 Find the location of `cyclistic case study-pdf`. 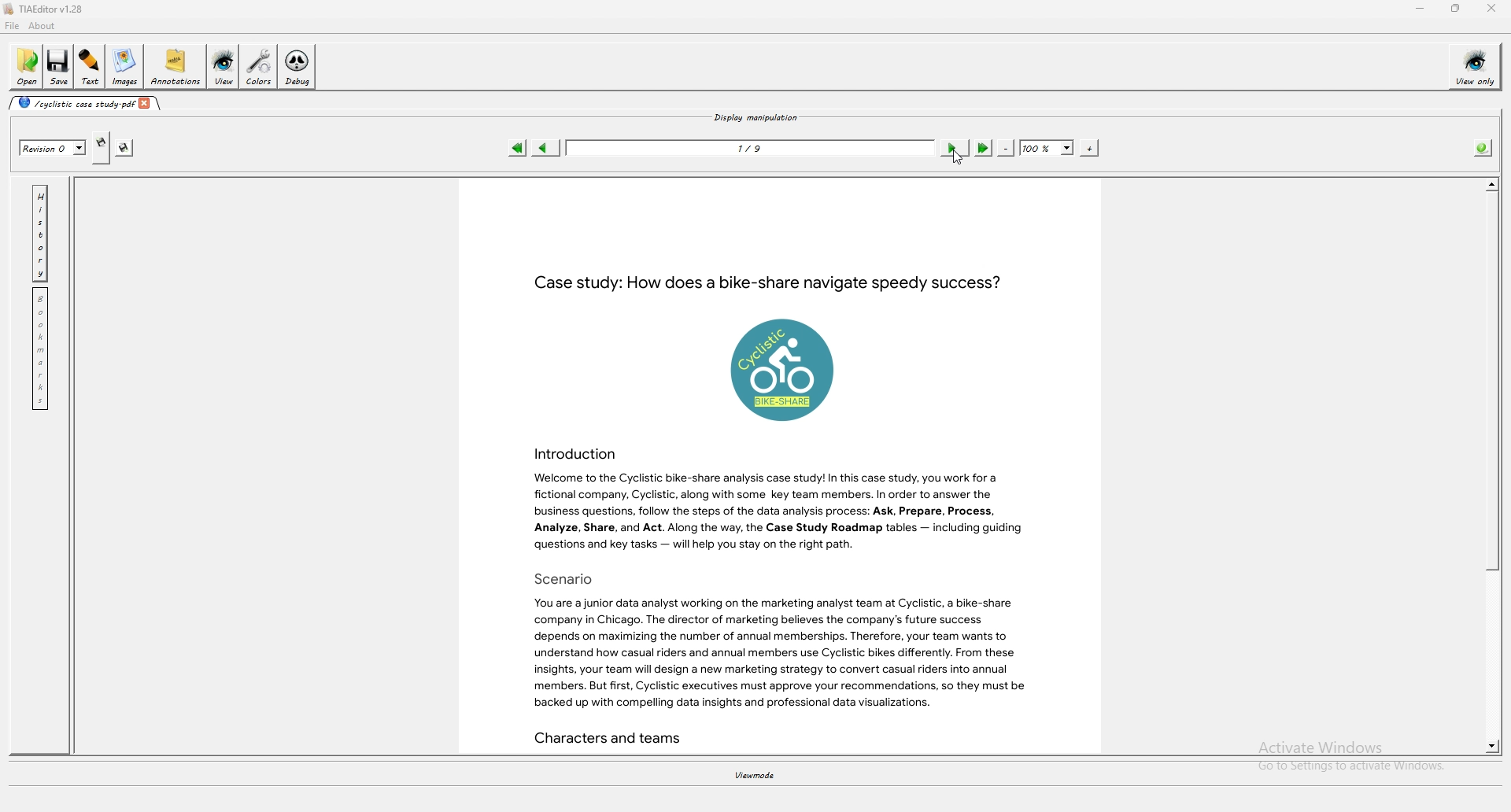

cyclistic case study-pdf is located at coordinates (73, 102).